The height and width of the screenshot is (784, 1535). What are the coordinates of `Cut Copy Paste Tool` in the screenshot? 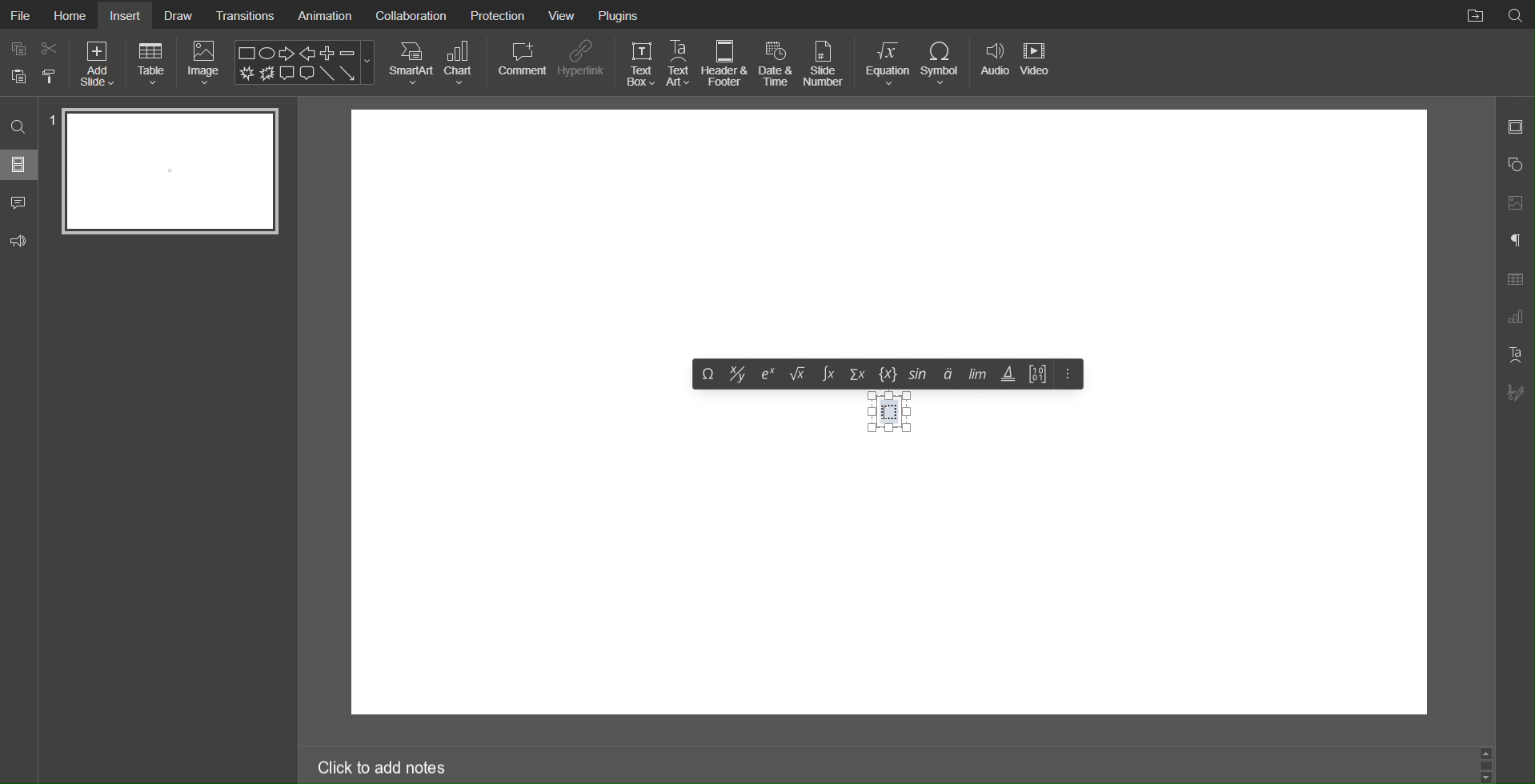 It's located at (32, 64).